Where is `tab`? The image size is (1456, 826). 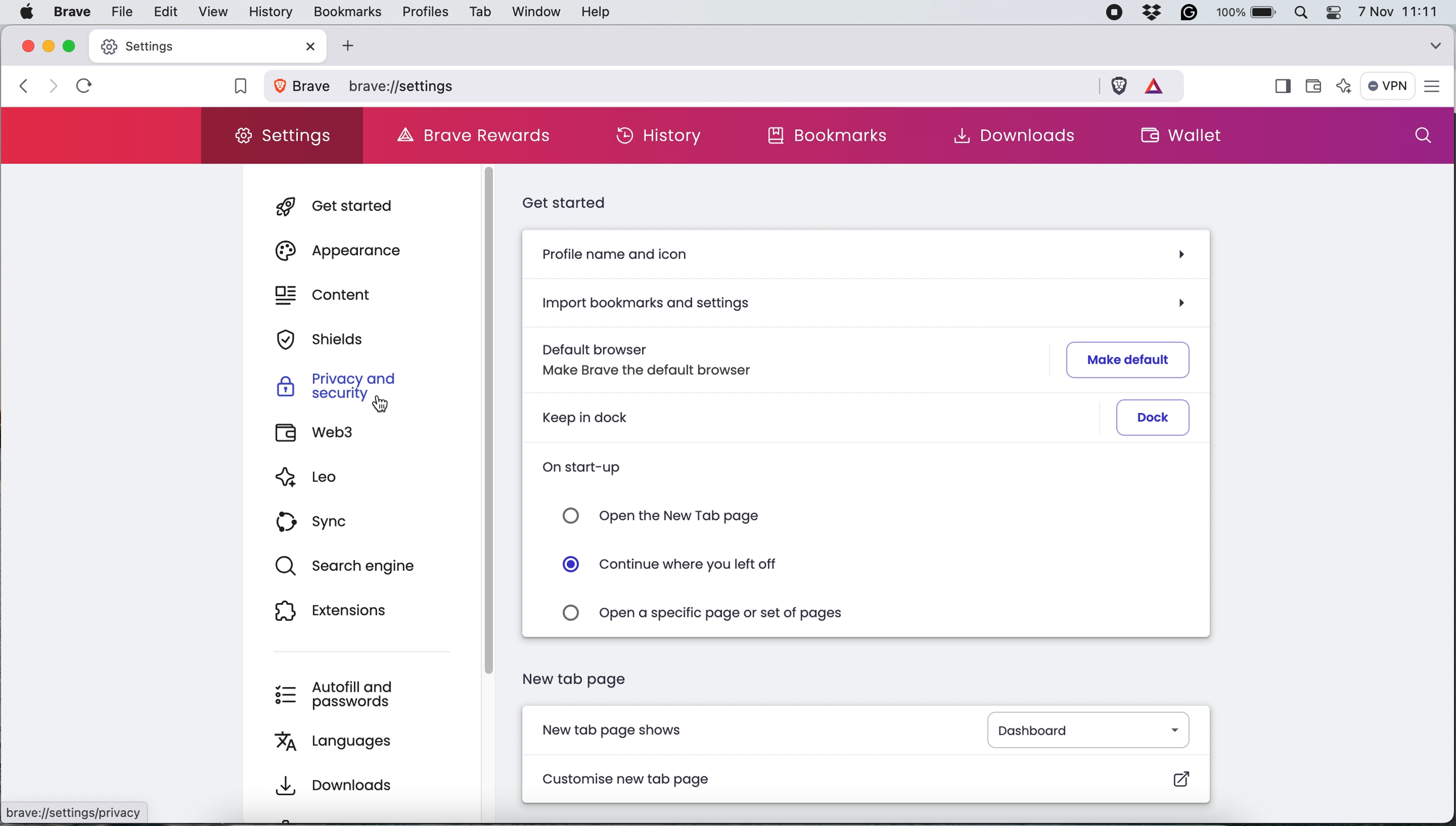
tab is located at coordinates (478, 14).